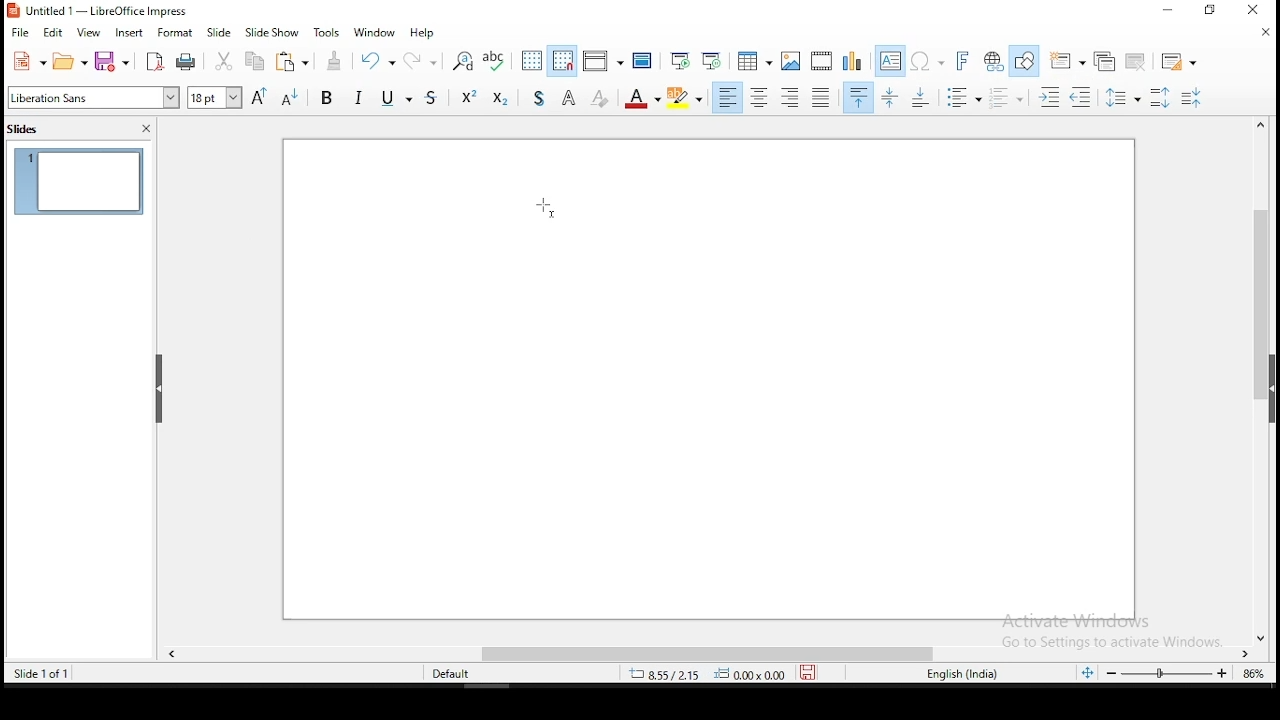 The height and width of the screenshot is (720, 1280). I want to click on close panel, so click(147, 128).